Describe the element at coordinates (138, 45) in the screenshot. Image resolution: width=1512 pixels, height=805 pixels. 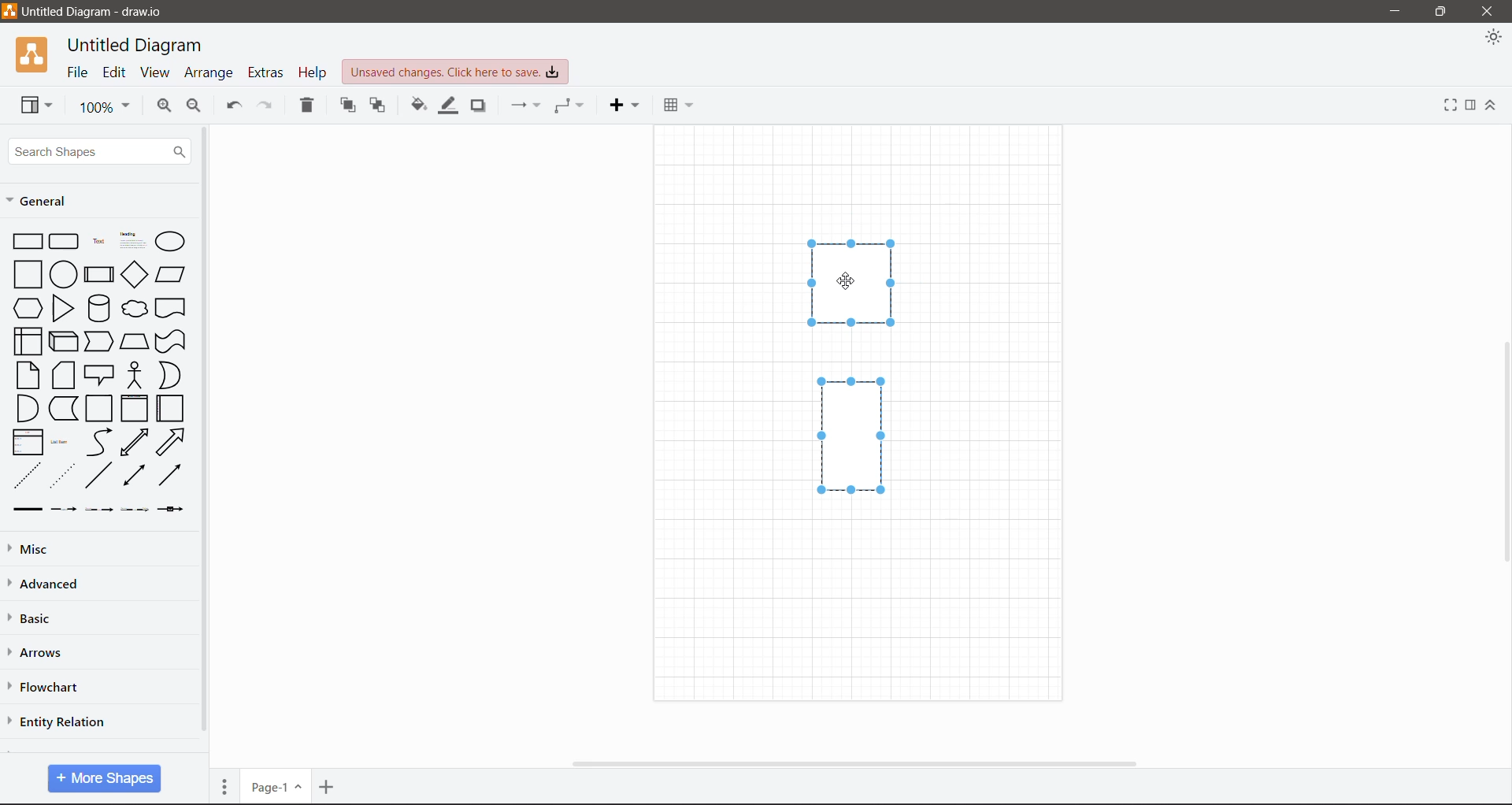
I see `` at that location.